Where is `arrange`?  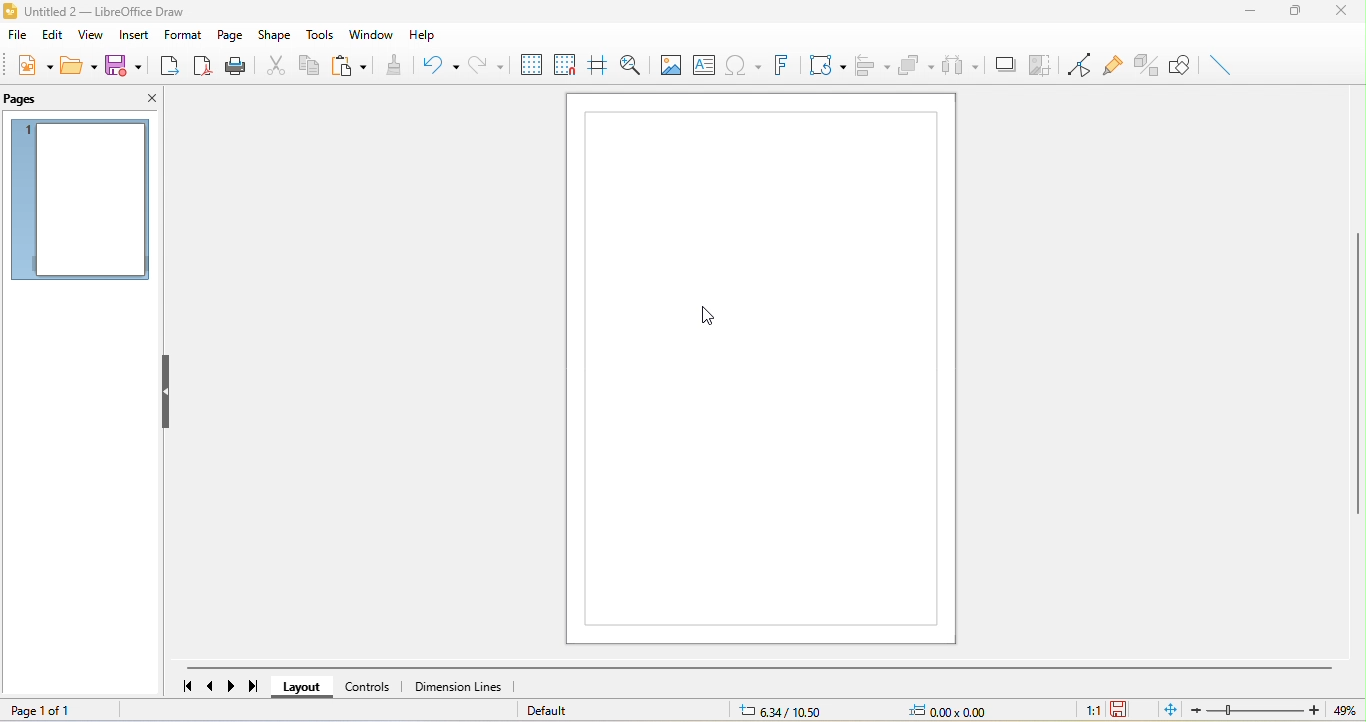 arrange is located at coordinates (917, 65).